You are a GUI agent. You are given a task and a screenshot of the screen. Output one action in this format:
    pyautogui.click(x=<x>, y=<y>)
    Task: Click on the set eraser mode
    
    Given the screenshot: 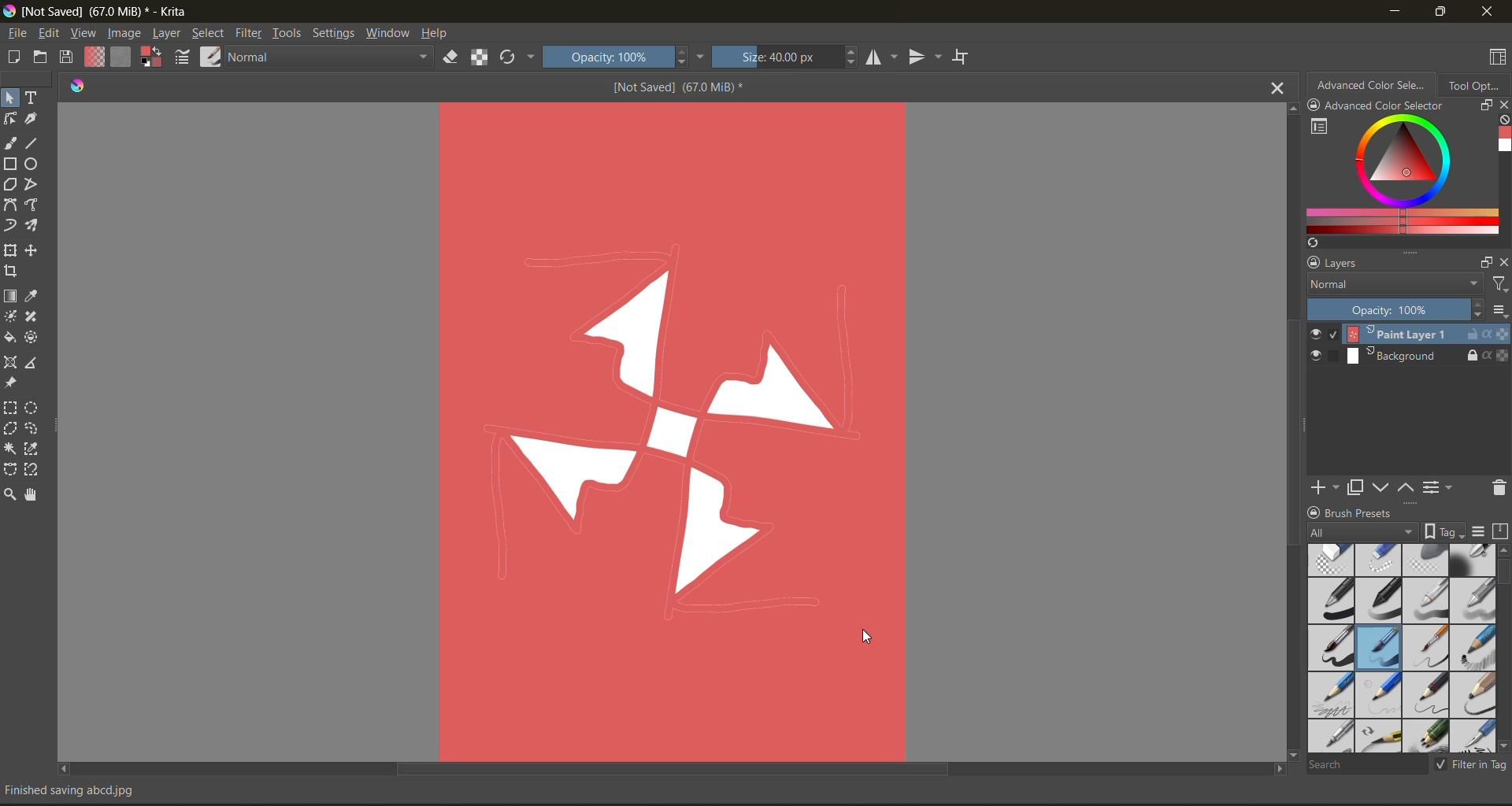 What is the action you would take?
    pyautogui.click(x=450, y=58)
    